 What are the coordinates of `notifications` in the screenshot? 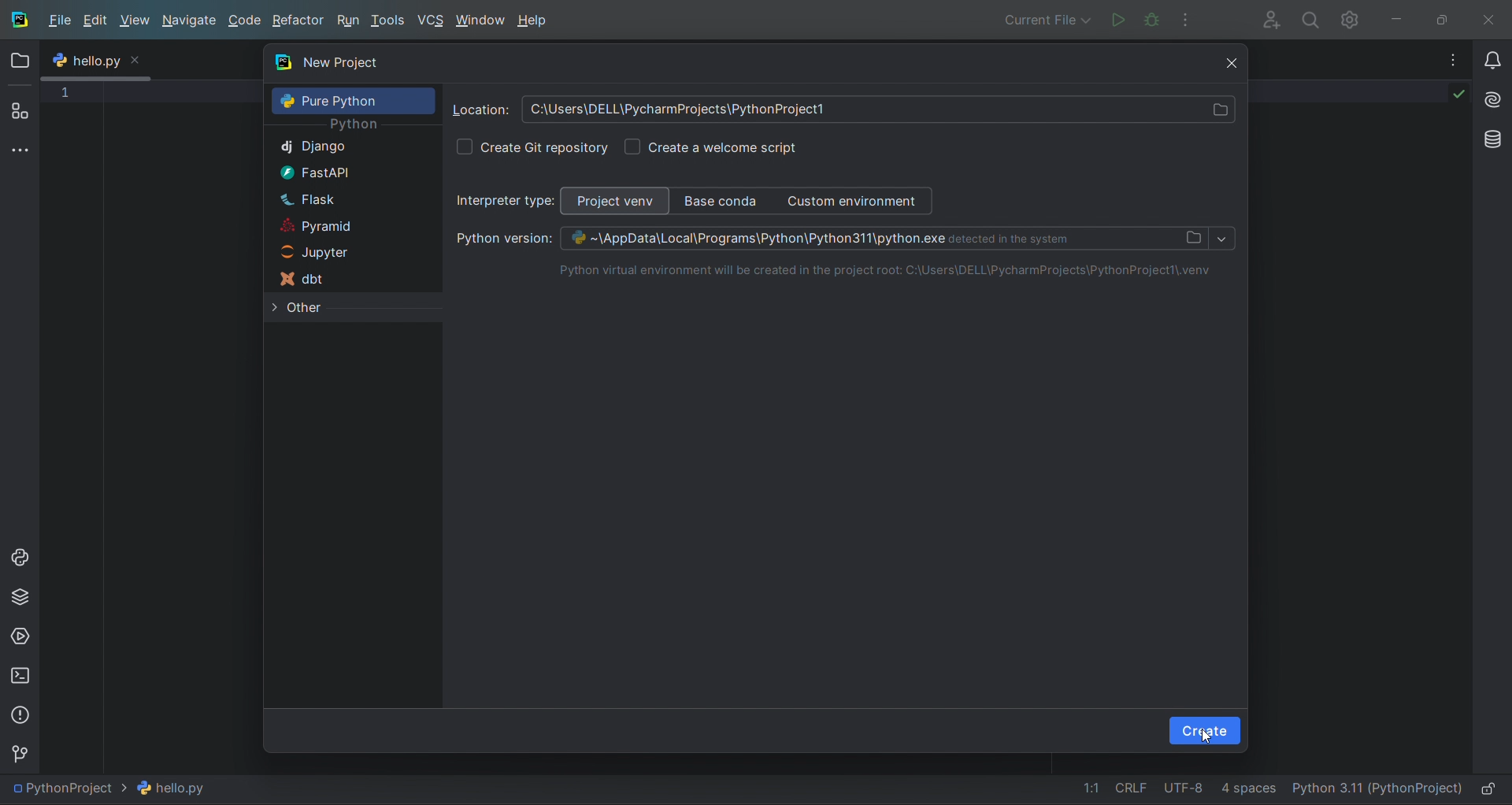 It's located at (1489, 54).